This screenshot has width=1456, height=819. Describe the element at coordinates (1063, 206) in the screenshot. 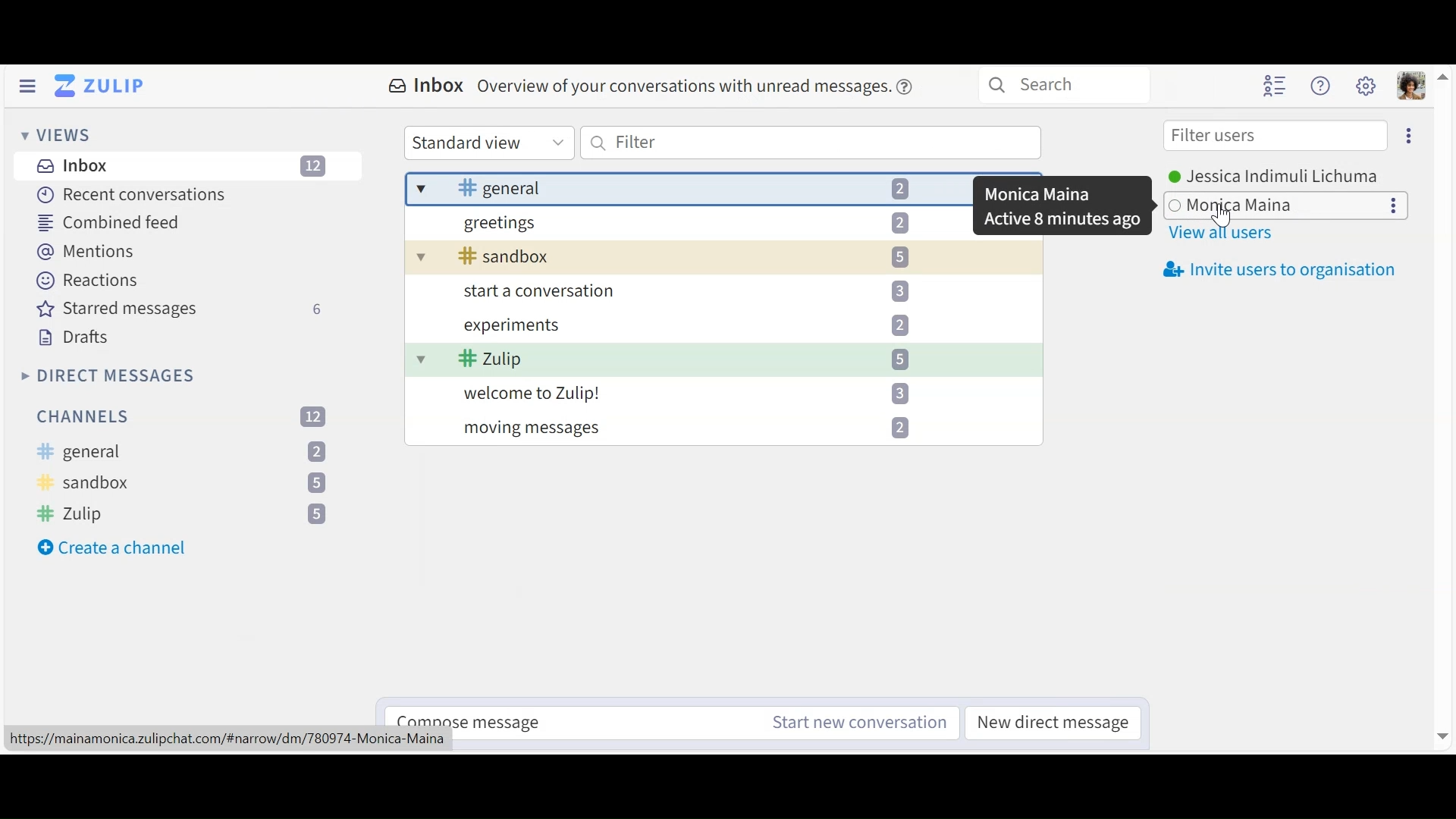

I see `pop up` at that location.